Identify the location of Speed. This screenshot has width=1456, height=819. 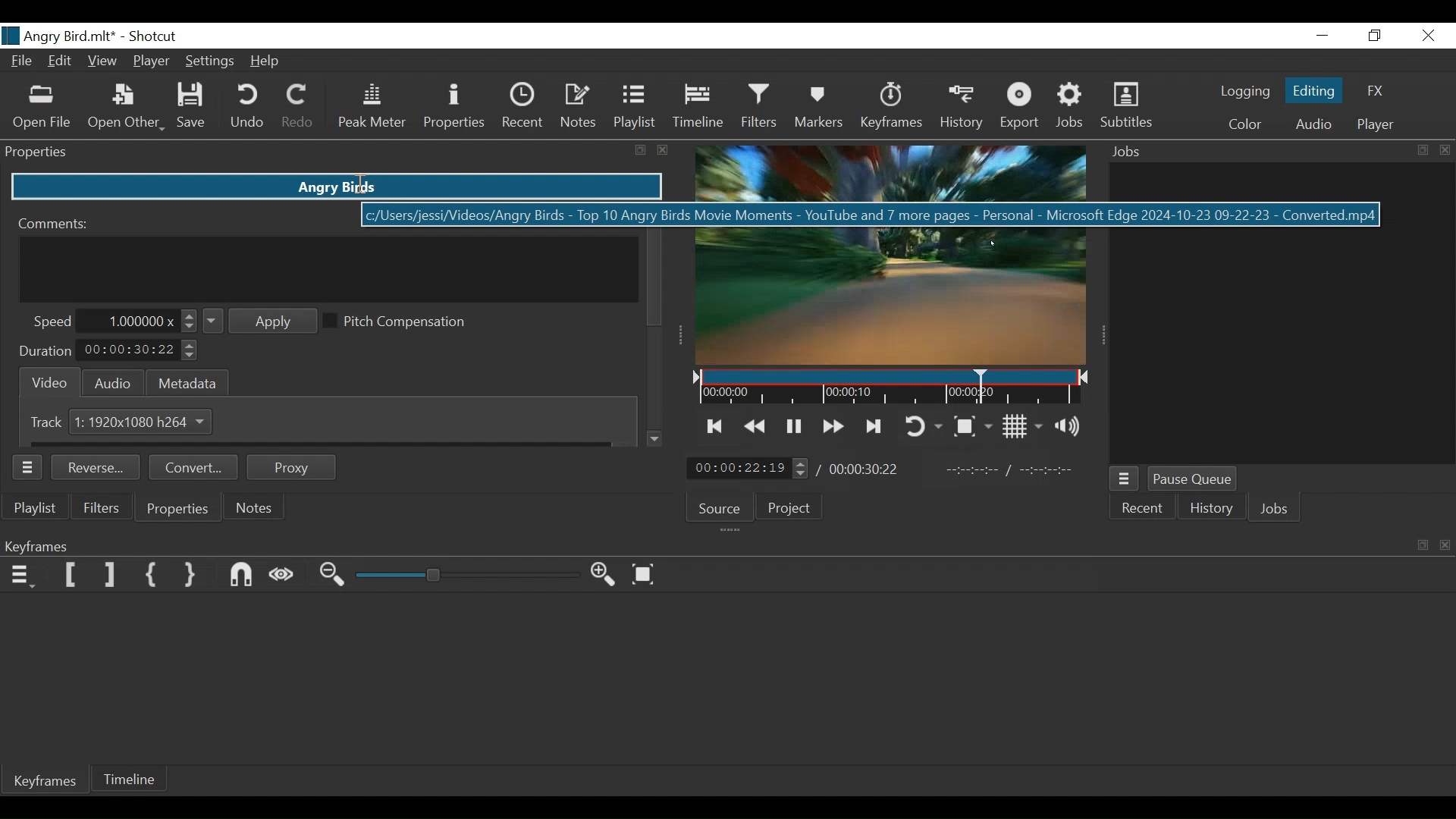
(52, 322).